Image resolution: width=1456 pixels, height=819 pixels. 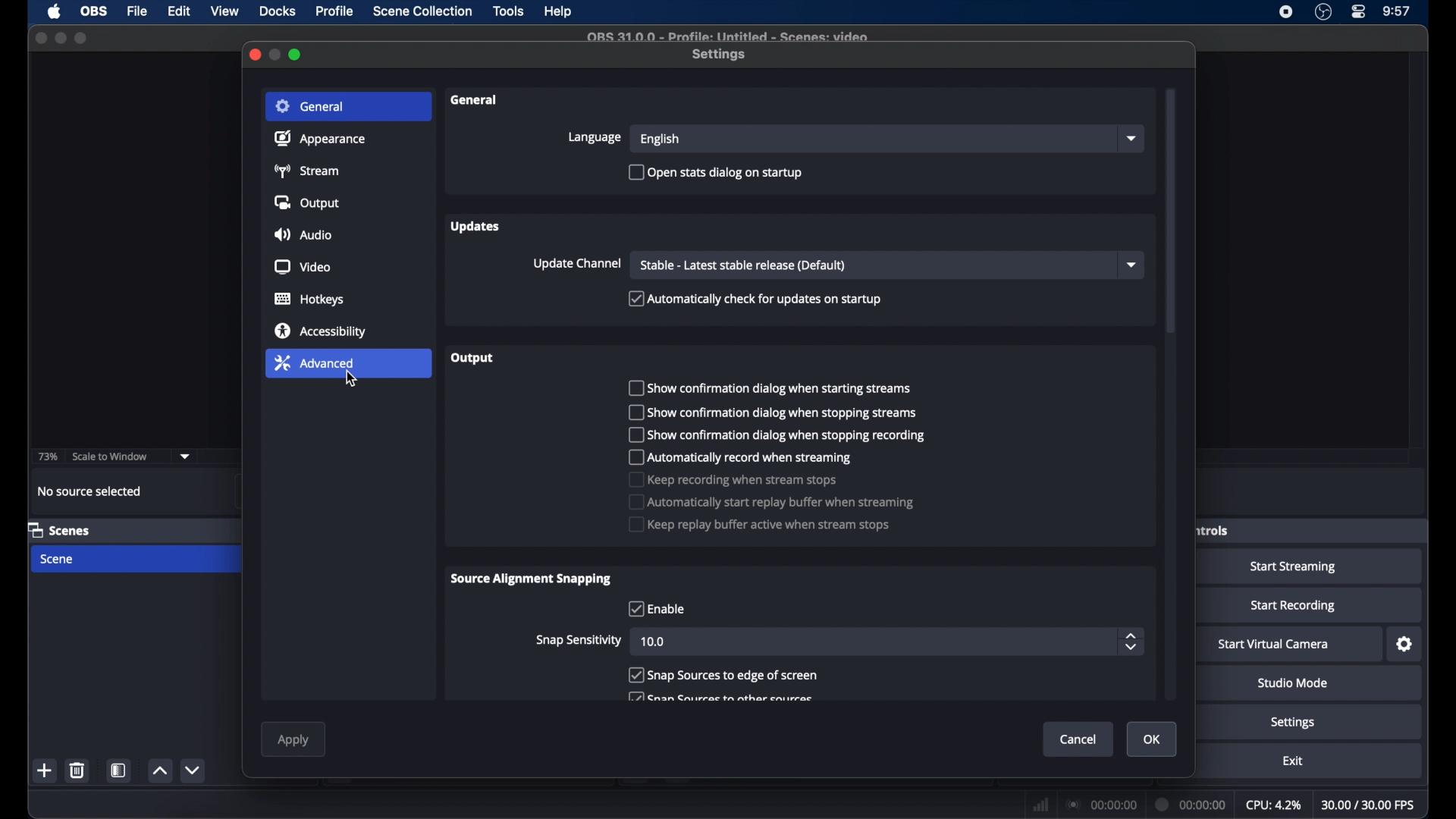 I want to click on 73%, so click(x=46, y=457).